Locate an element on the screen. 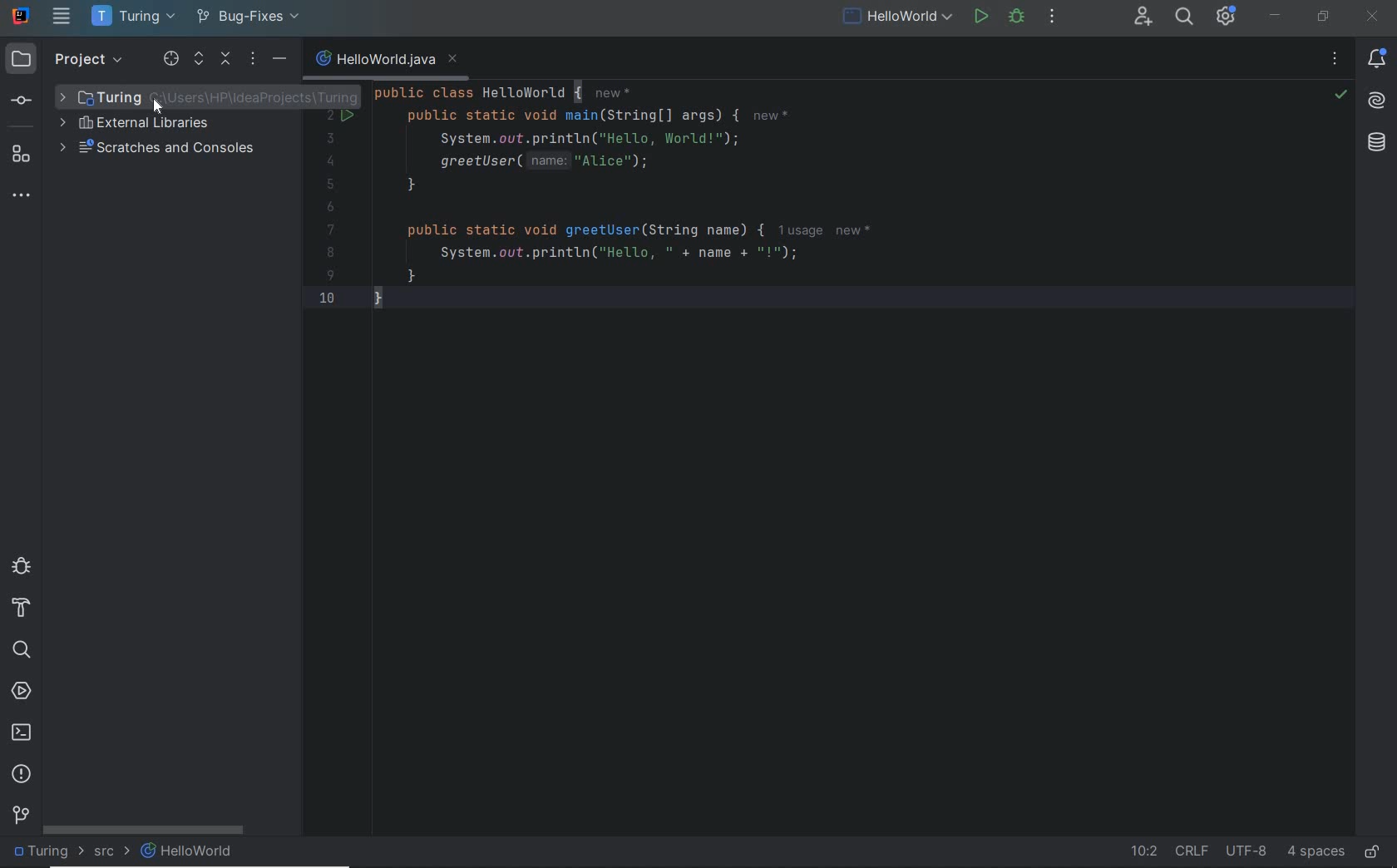  project is located at coordinates (65, 61).